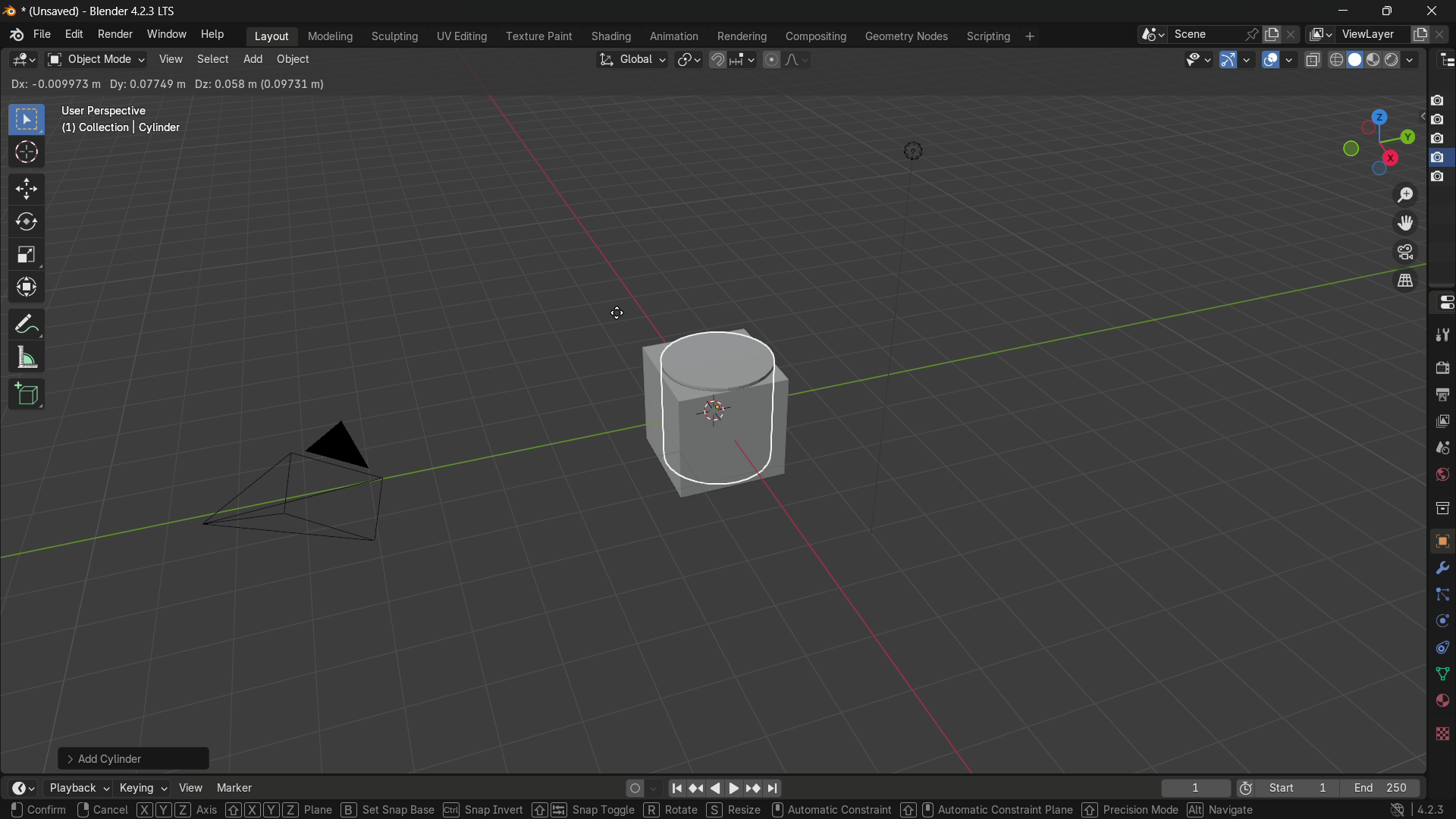  Describe the element at coordinates (1405, 194) in the screenshot. I see `zoom in/out` at that location.